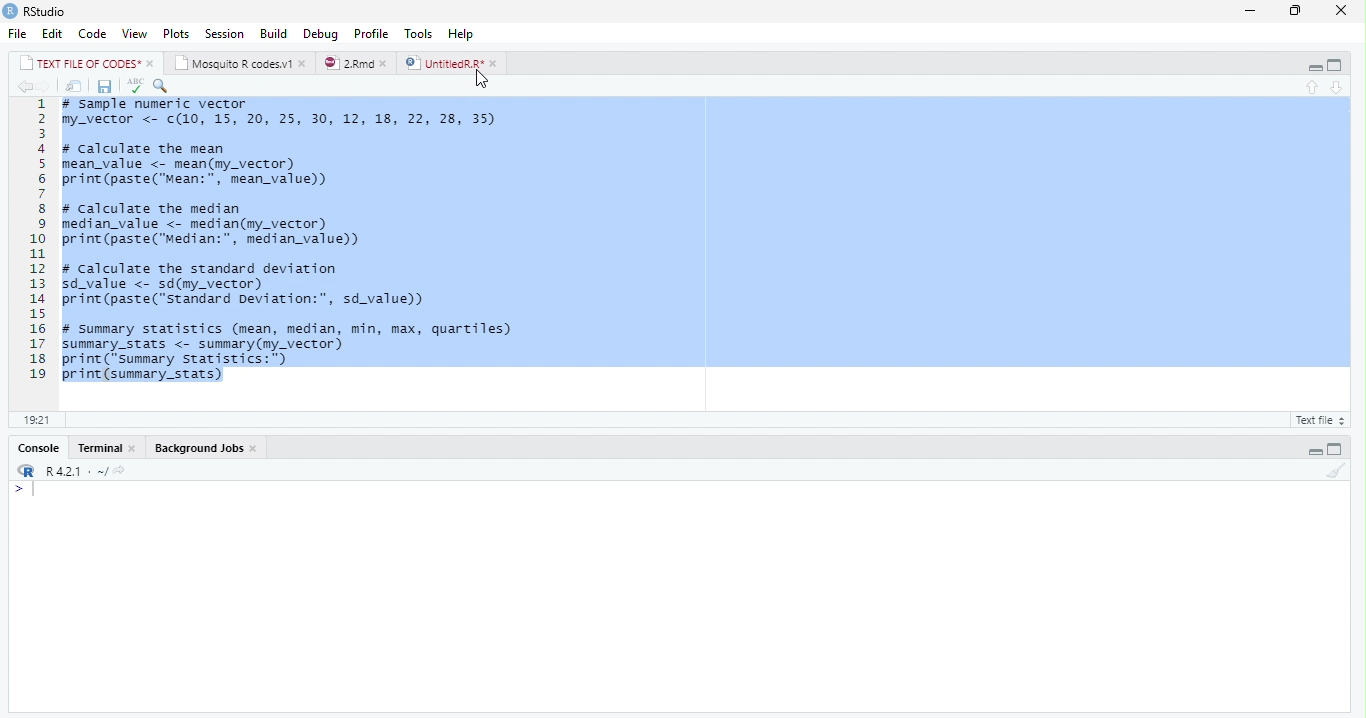 This screenshot has height=718, width=1366. I want to click on previous section, so click(1314, 88).